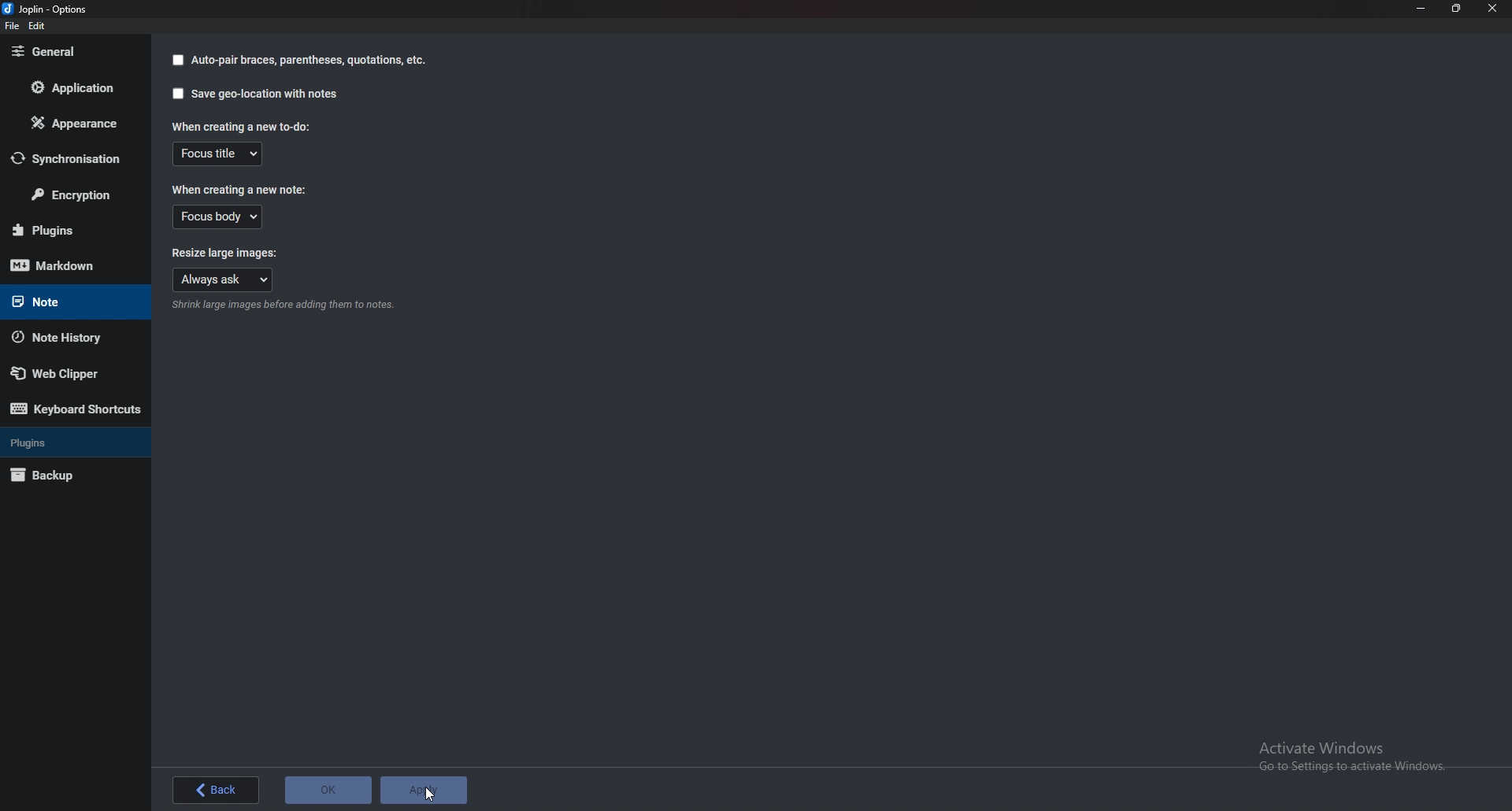  I want to click on Focus title, so click(220, 154).